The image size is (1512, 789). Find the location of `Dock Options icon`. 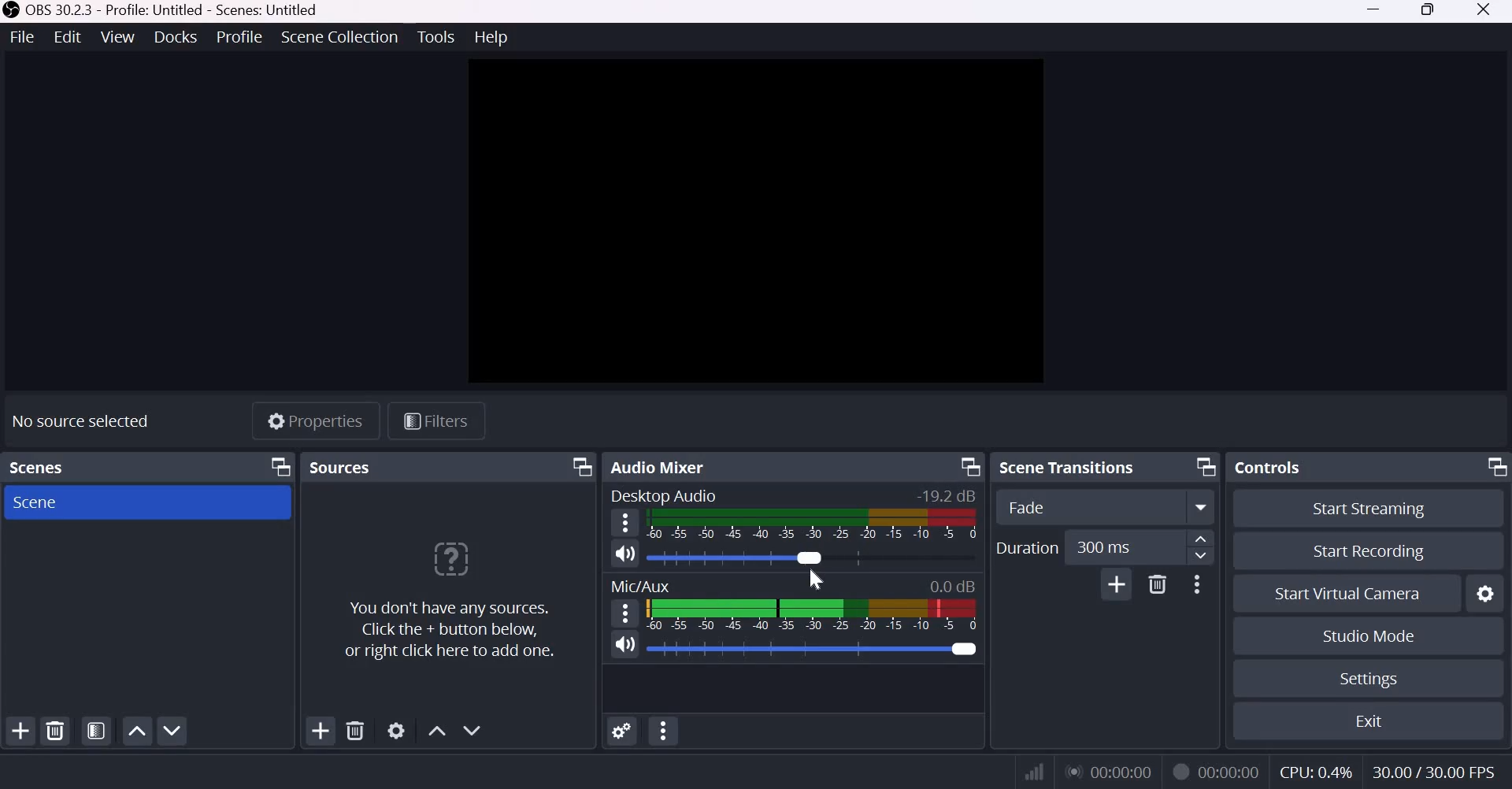

Dock Options icon is located at coordinates (968, 469).